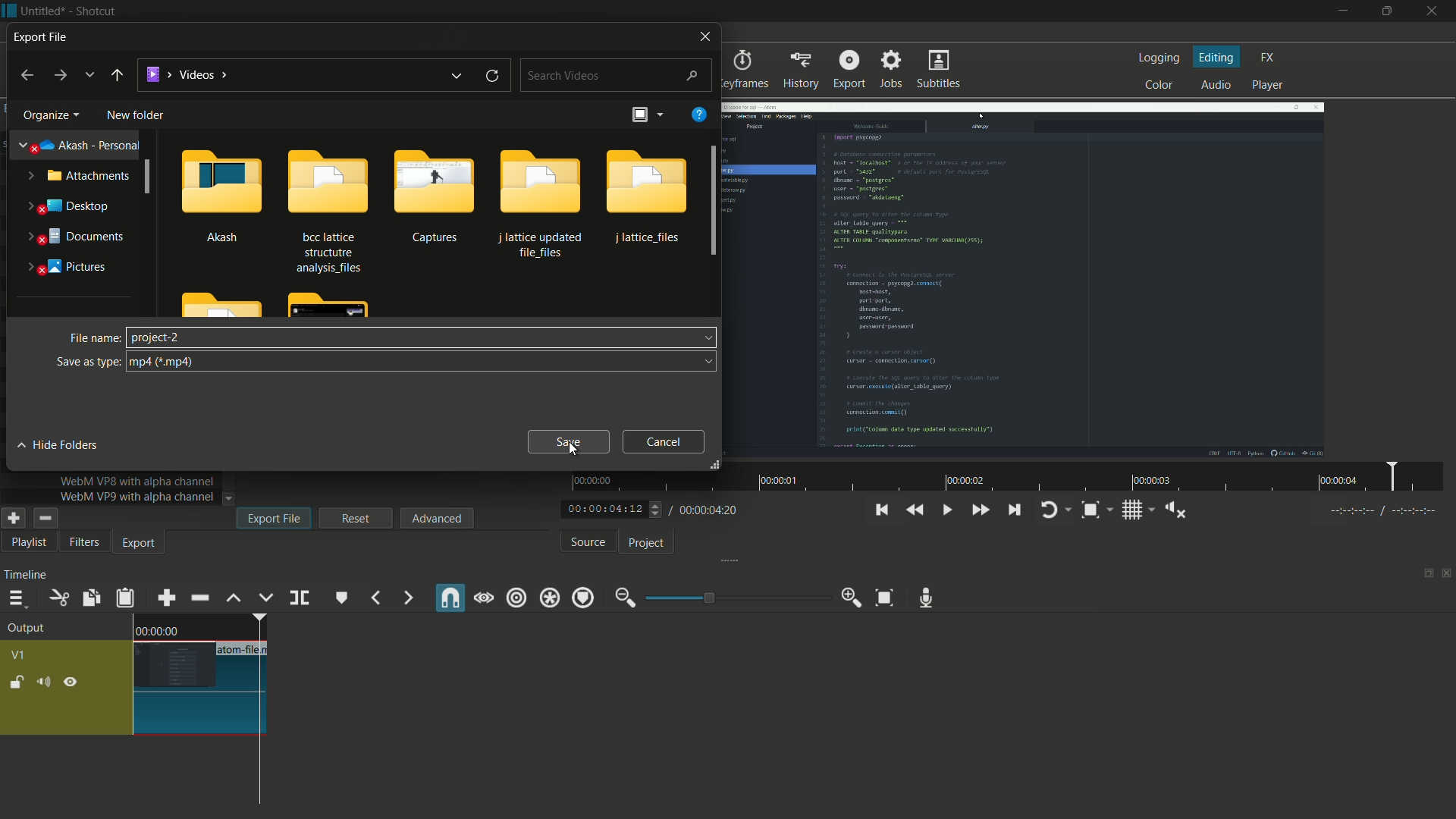  Describe the element at coordinates (185, 72) in the screenshot. I see `location` at that location.